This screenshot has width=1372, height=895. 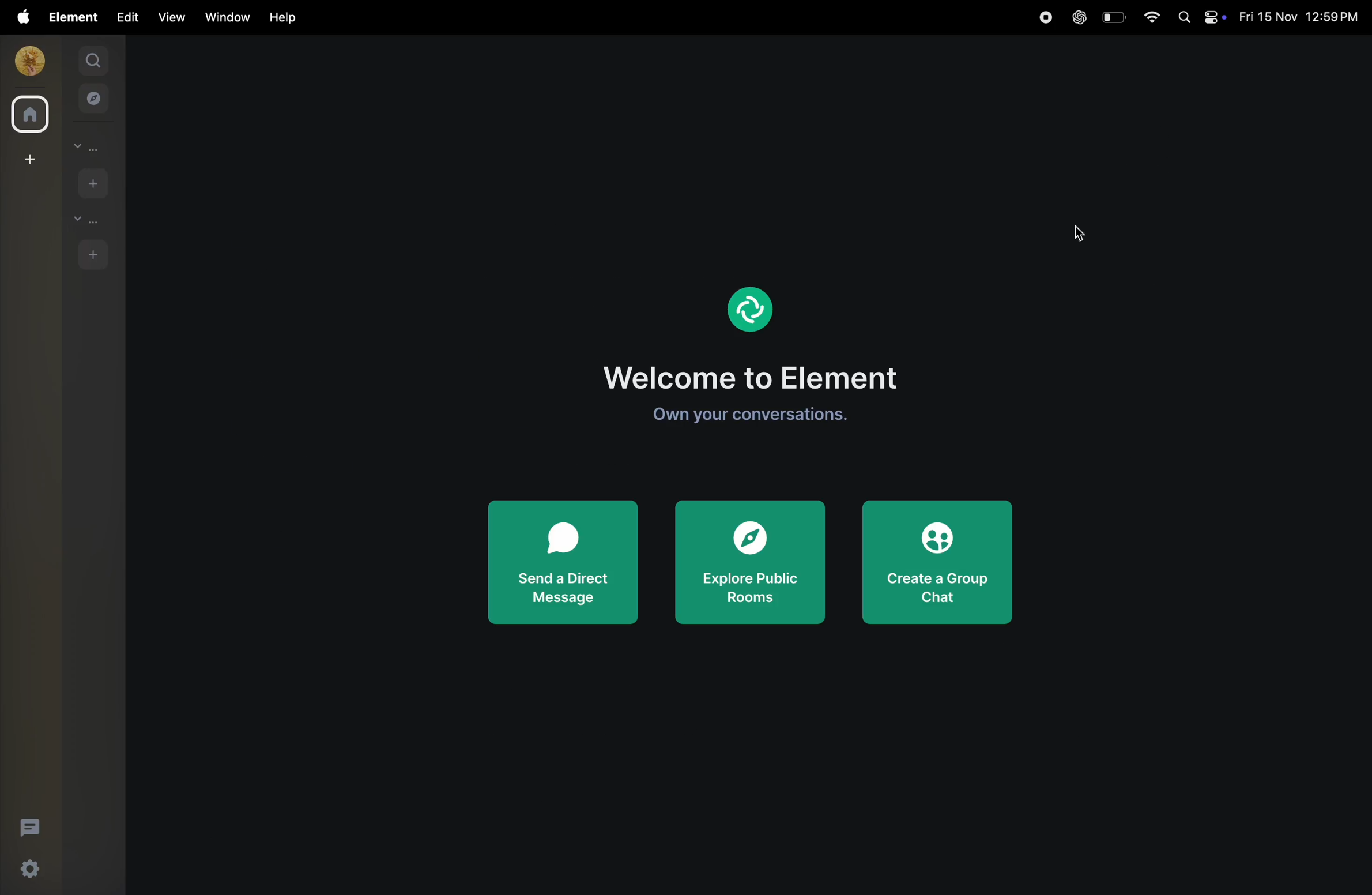 What do you see at coordinates (753, 310) in the screenshot?
I see `Profile` at bounding box center [753, 310].